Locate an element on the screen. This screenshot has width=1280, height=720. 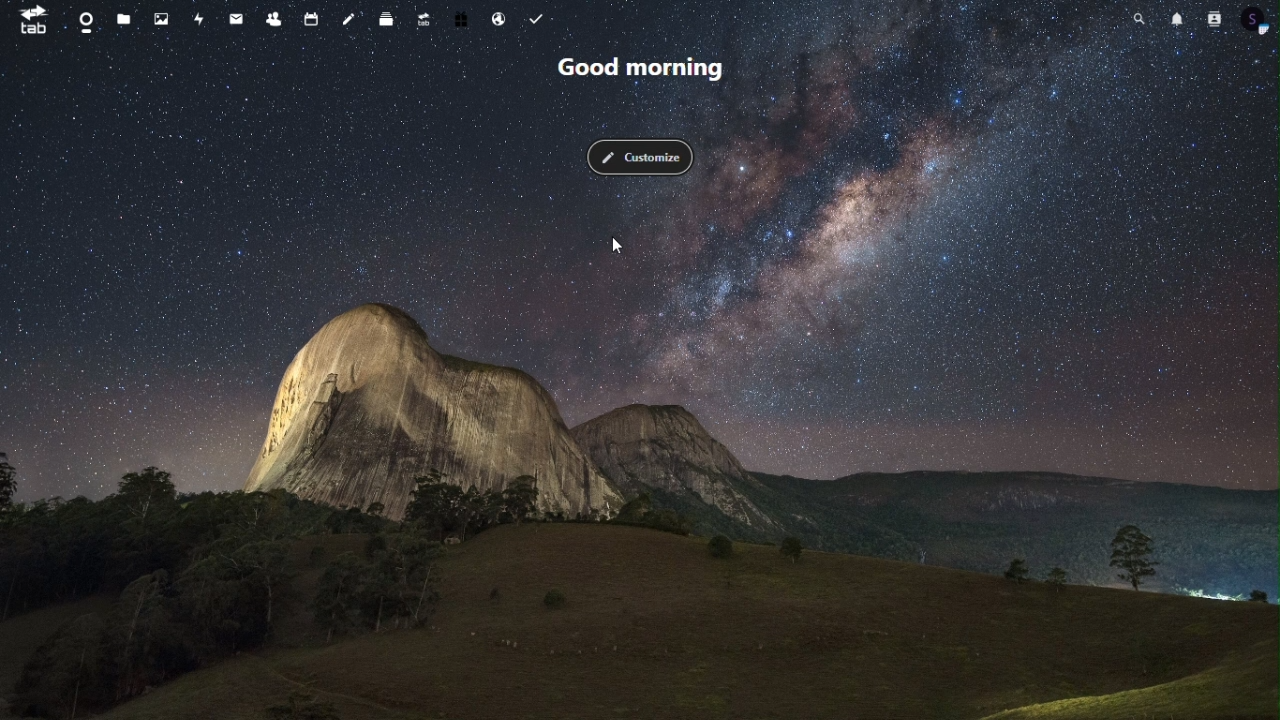
search is located at coordinates (1140, 21).